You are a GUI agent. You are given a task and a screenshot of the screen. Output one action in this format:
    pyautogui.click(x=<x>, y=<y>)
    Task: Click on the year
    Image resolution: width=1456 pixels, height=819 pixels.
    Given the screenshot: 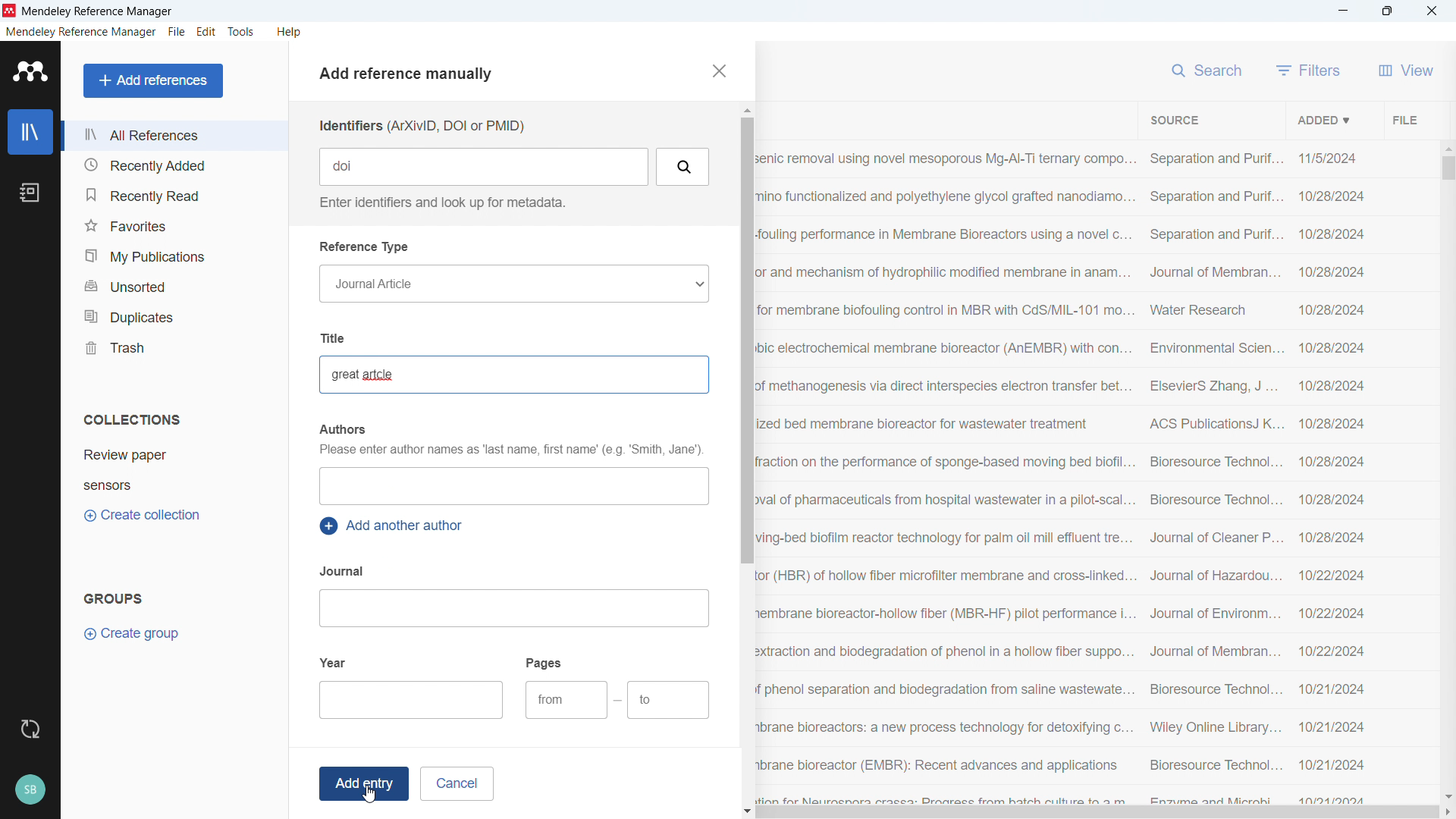 What is the action you would take?
    pyautogui.click(x=334, y=661)
    